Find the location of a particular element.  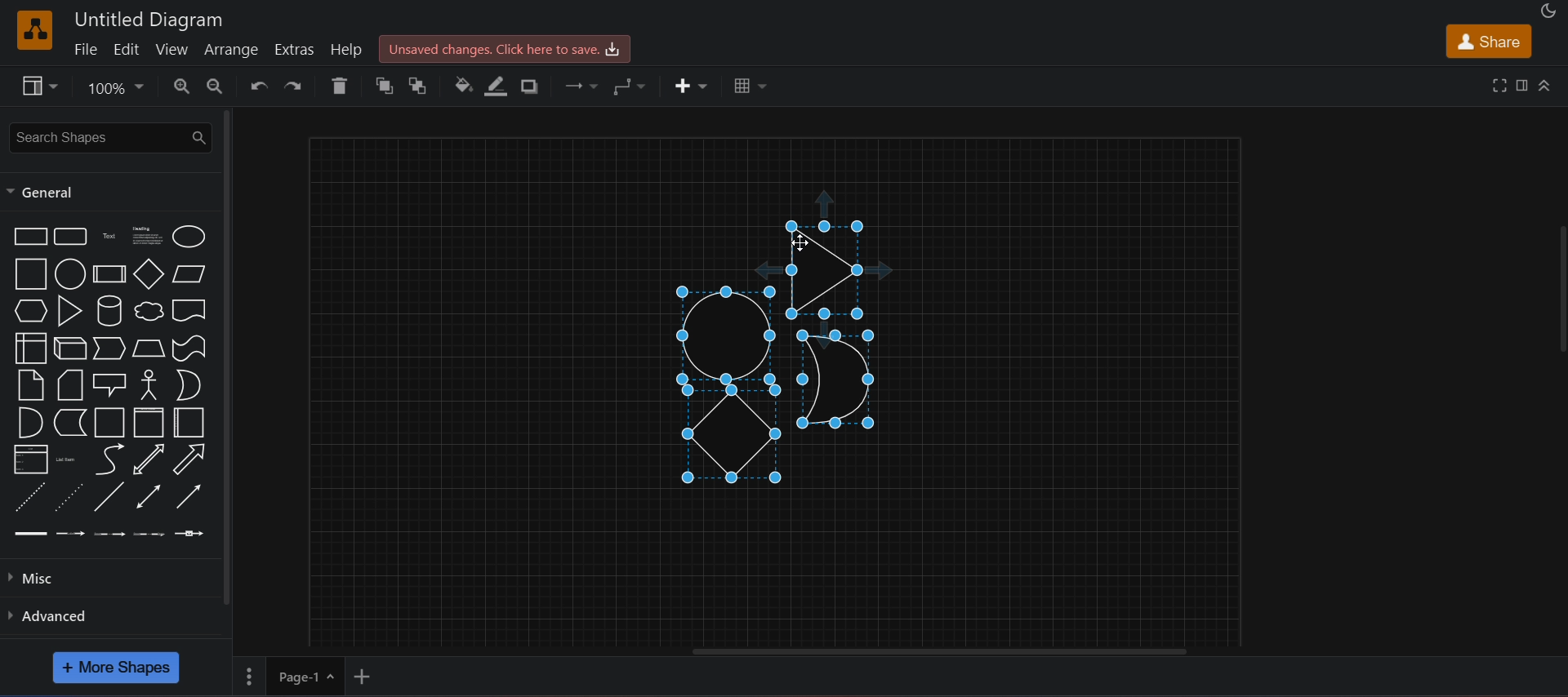

fill color is located at coordinates (463, 84).